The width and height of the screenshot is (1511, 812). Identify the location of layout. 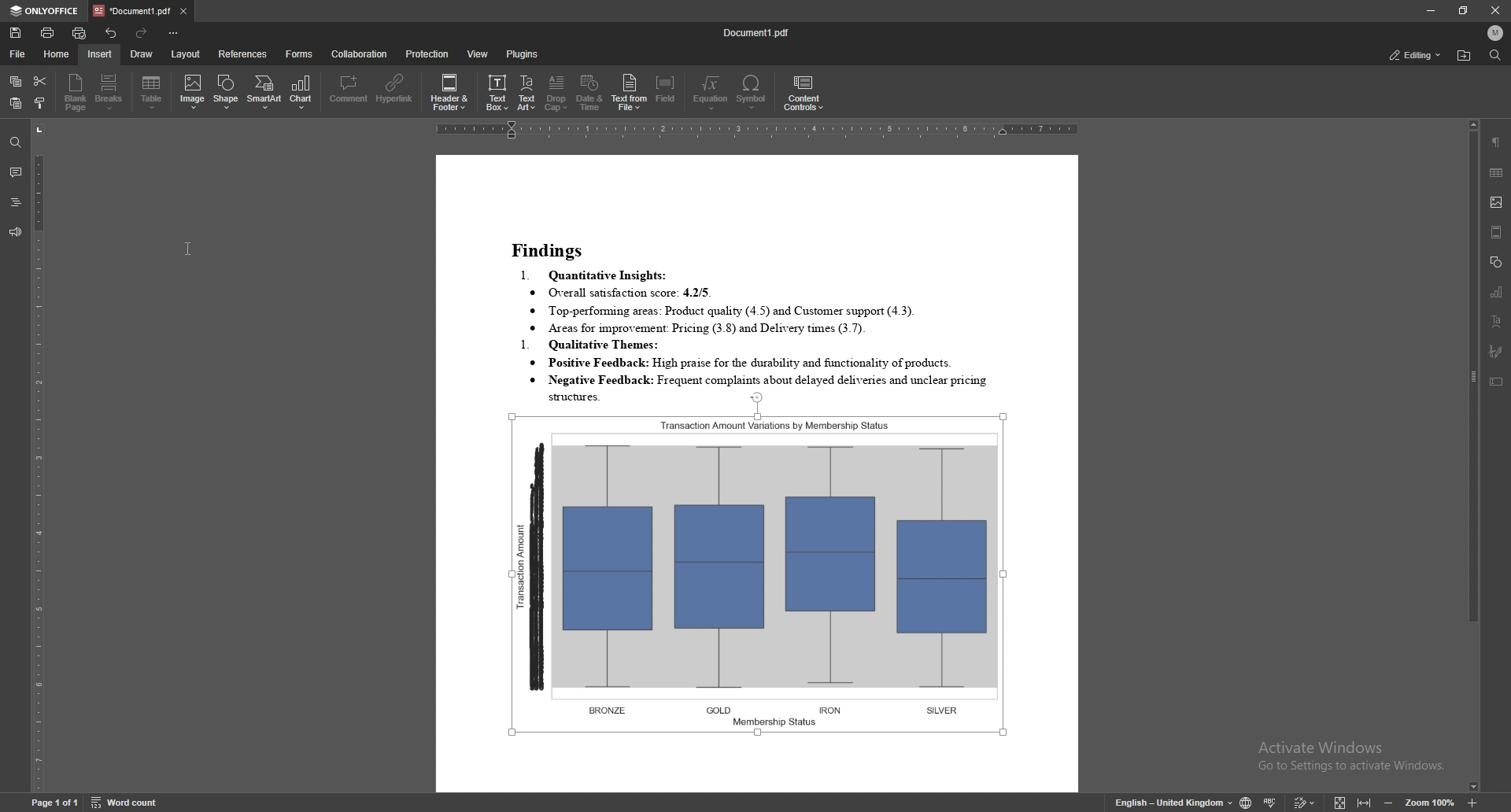
(188, 54).